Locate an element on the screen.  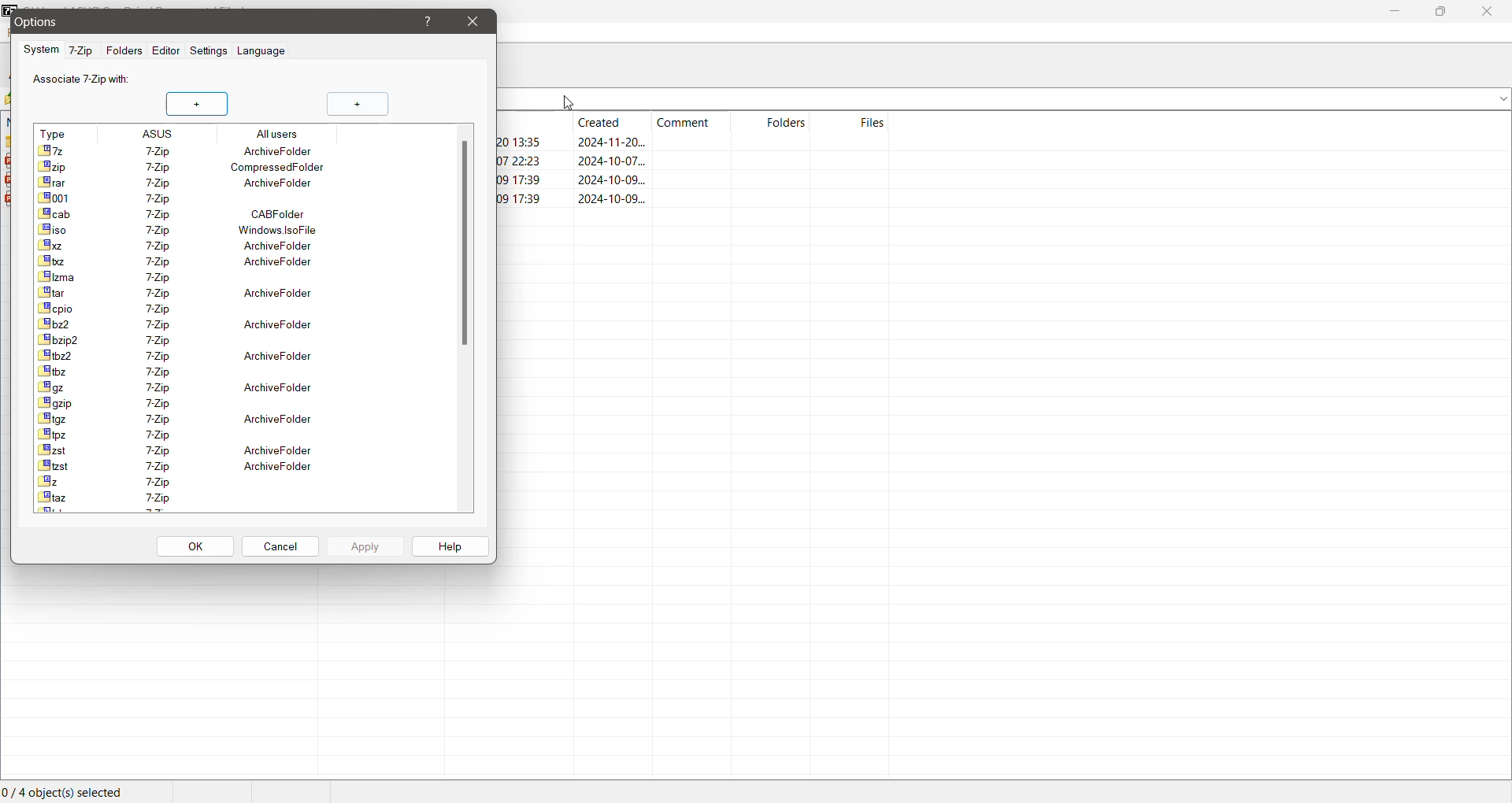
07 22:23 2024-10-07 is located at coordinates (572, 162).